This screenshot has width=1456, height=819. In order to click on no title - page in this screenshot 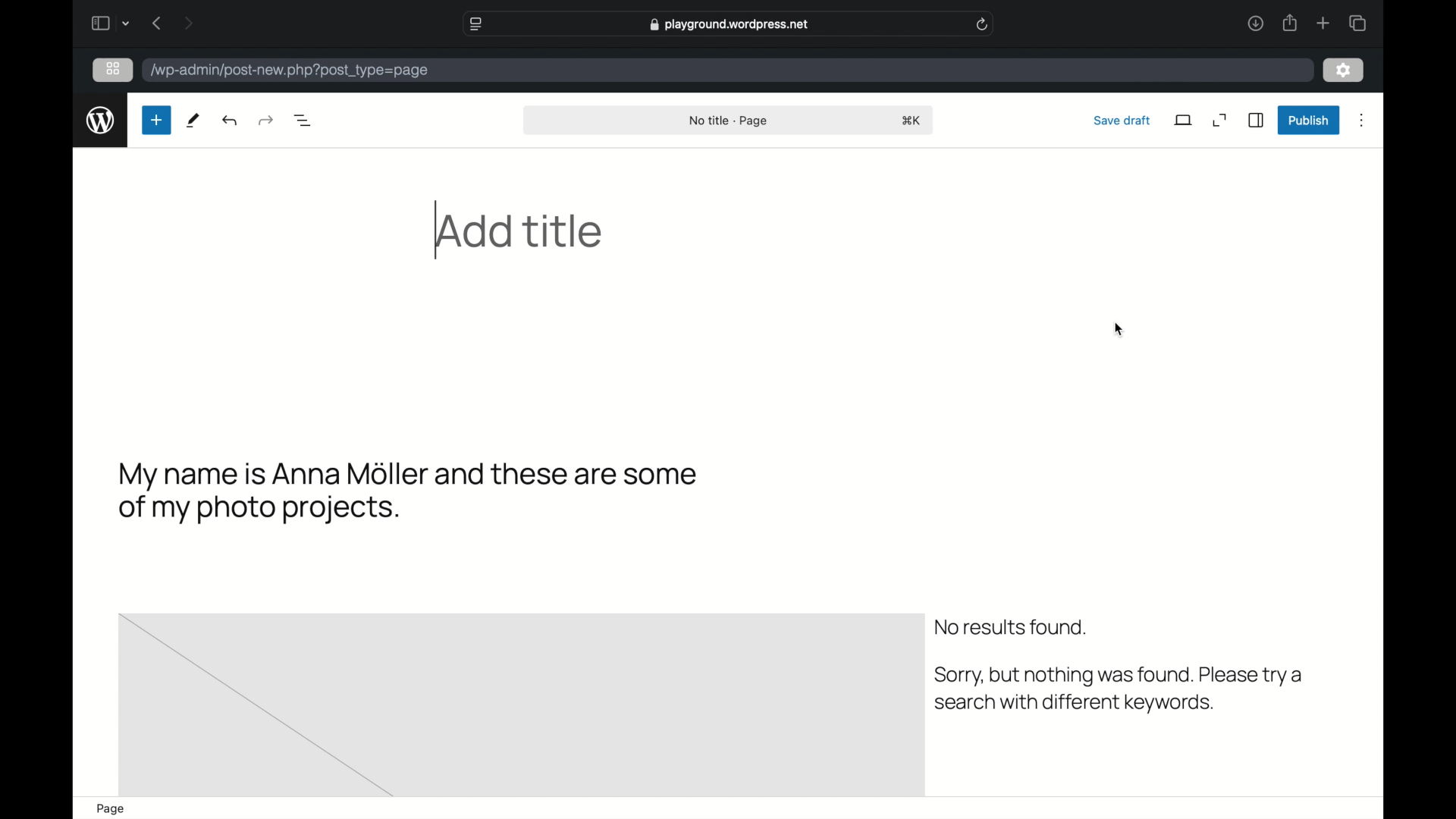, I will do `click(727, 121)`.